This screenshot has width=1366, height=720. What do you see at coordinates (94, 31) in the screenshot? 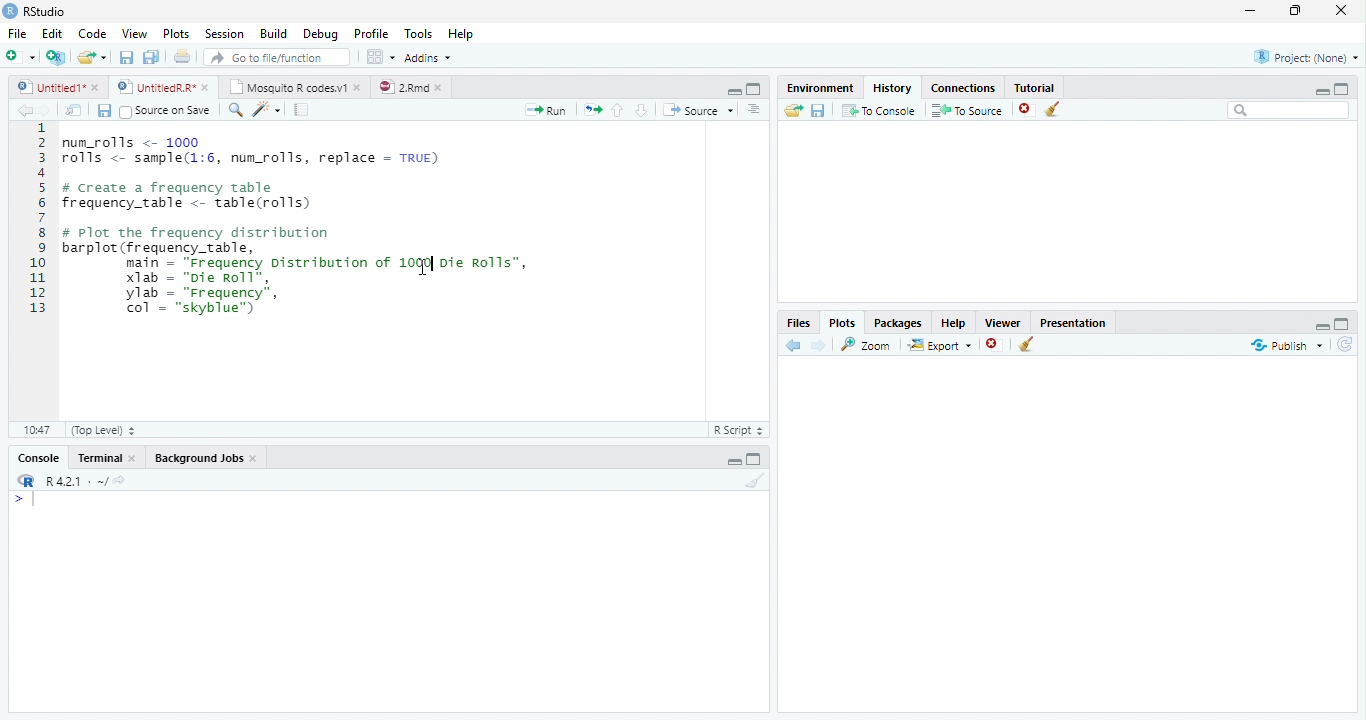
I see `Code` at bounding box center [94, 31].